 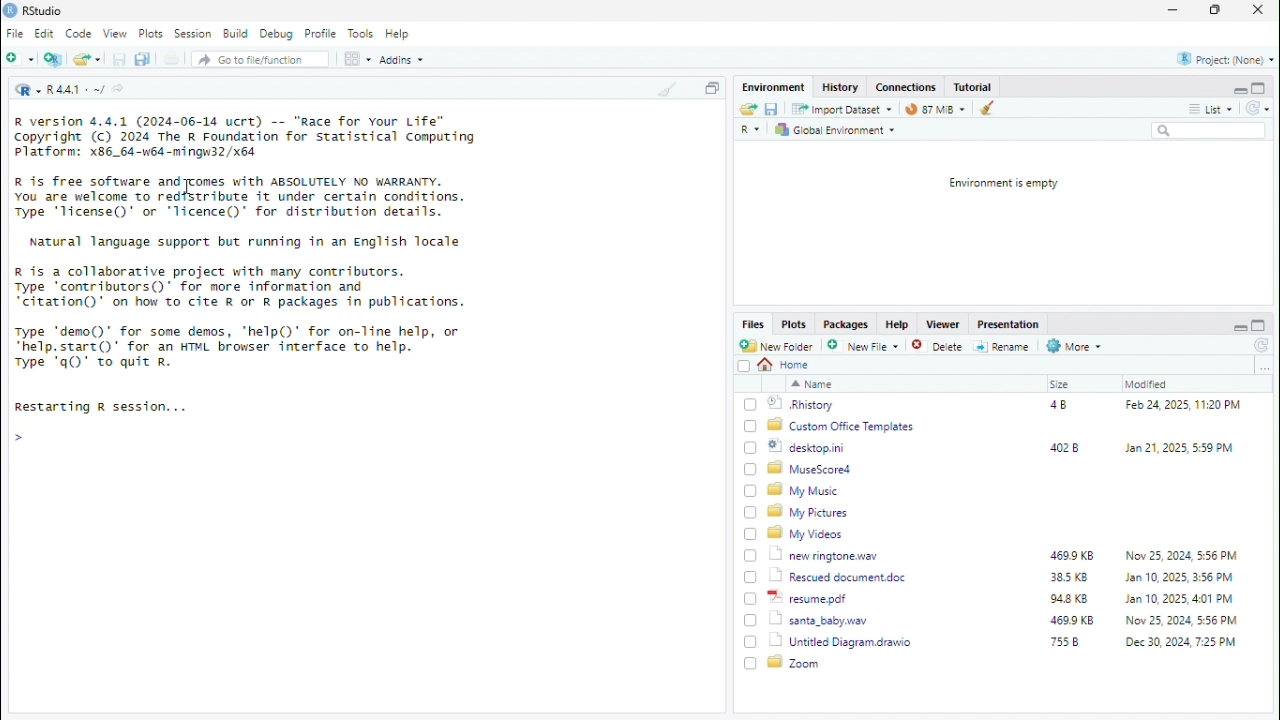 What do you see at coordinates (1075, 346) in the screenshot?
I see `More` at bounding box center [1075, 346].